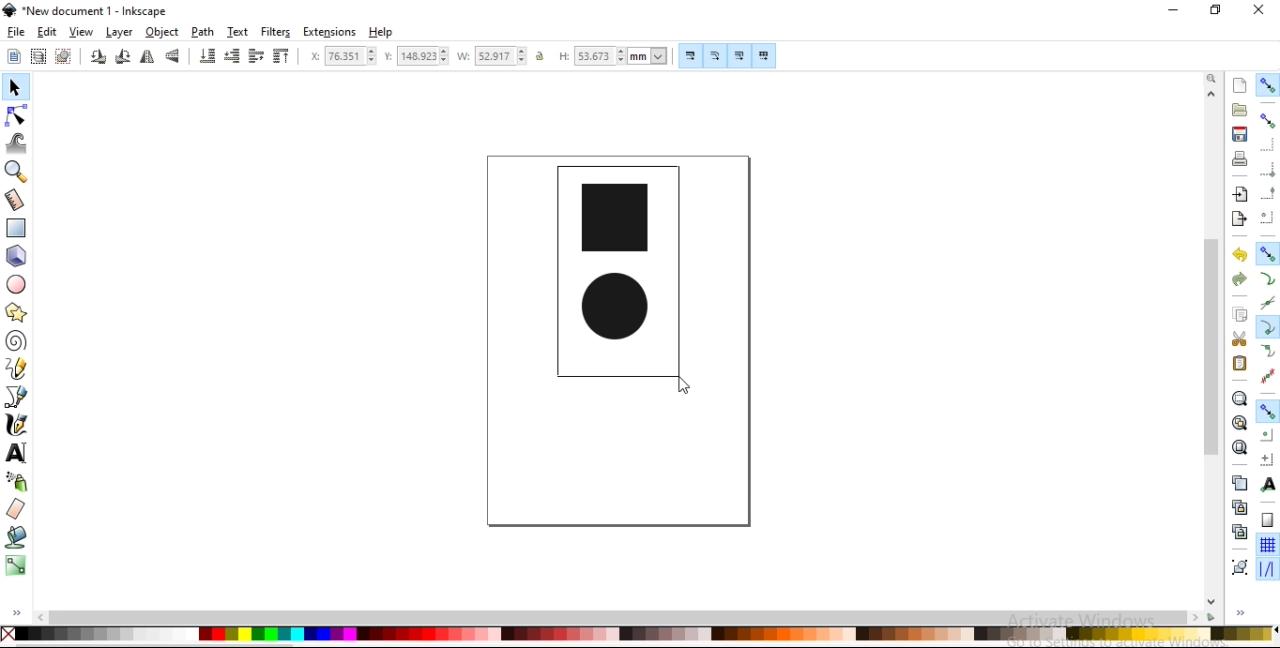 The image size is (1280, 648). What do you see at coordinates (1268, 194) in the screenshot?
I see `snap midpoints of bounding box edges` at bounding box center [1268, 194].